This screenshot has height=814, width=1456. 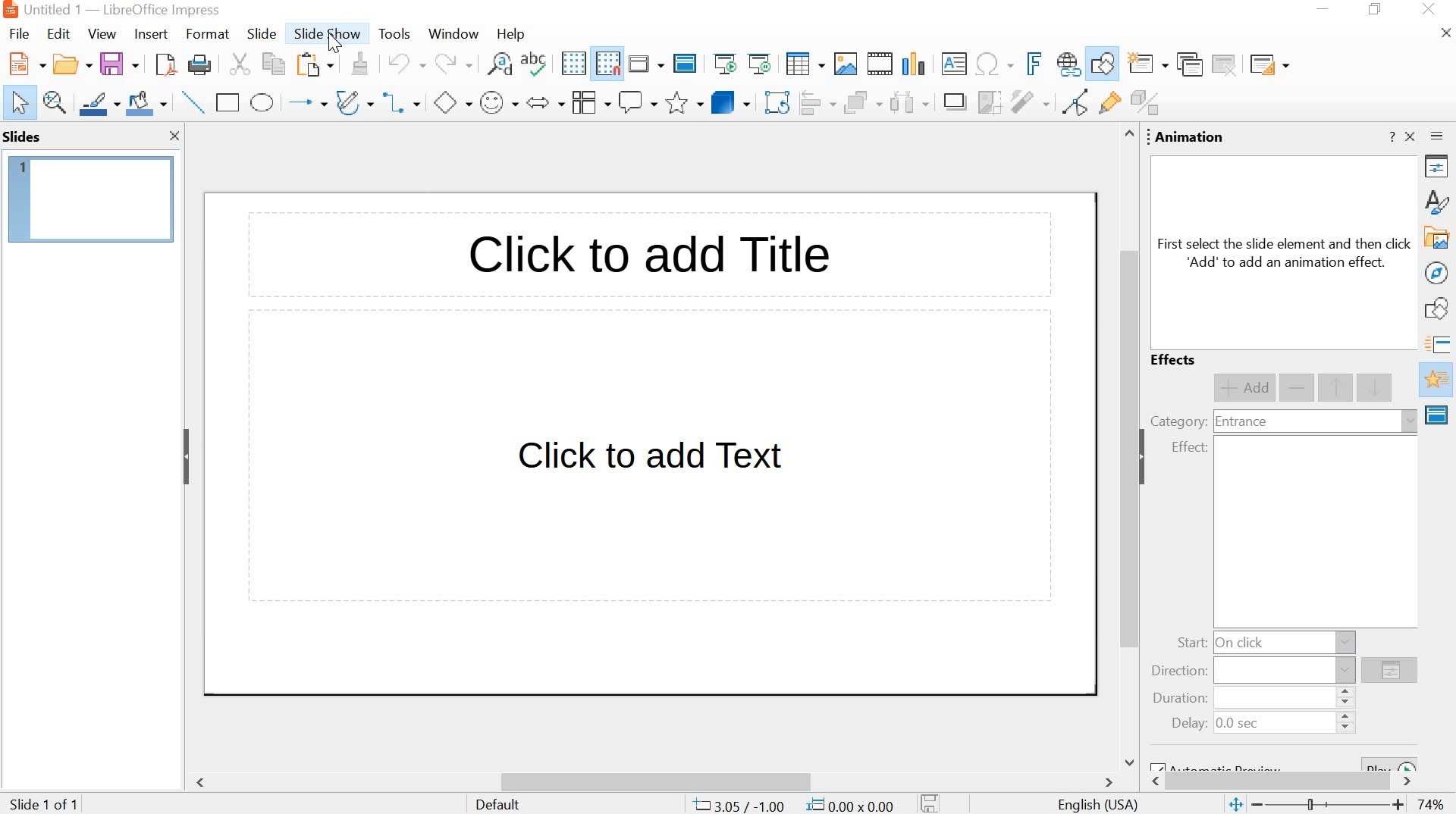 I want to click on zoom percent, so click(x=1430, y=805).